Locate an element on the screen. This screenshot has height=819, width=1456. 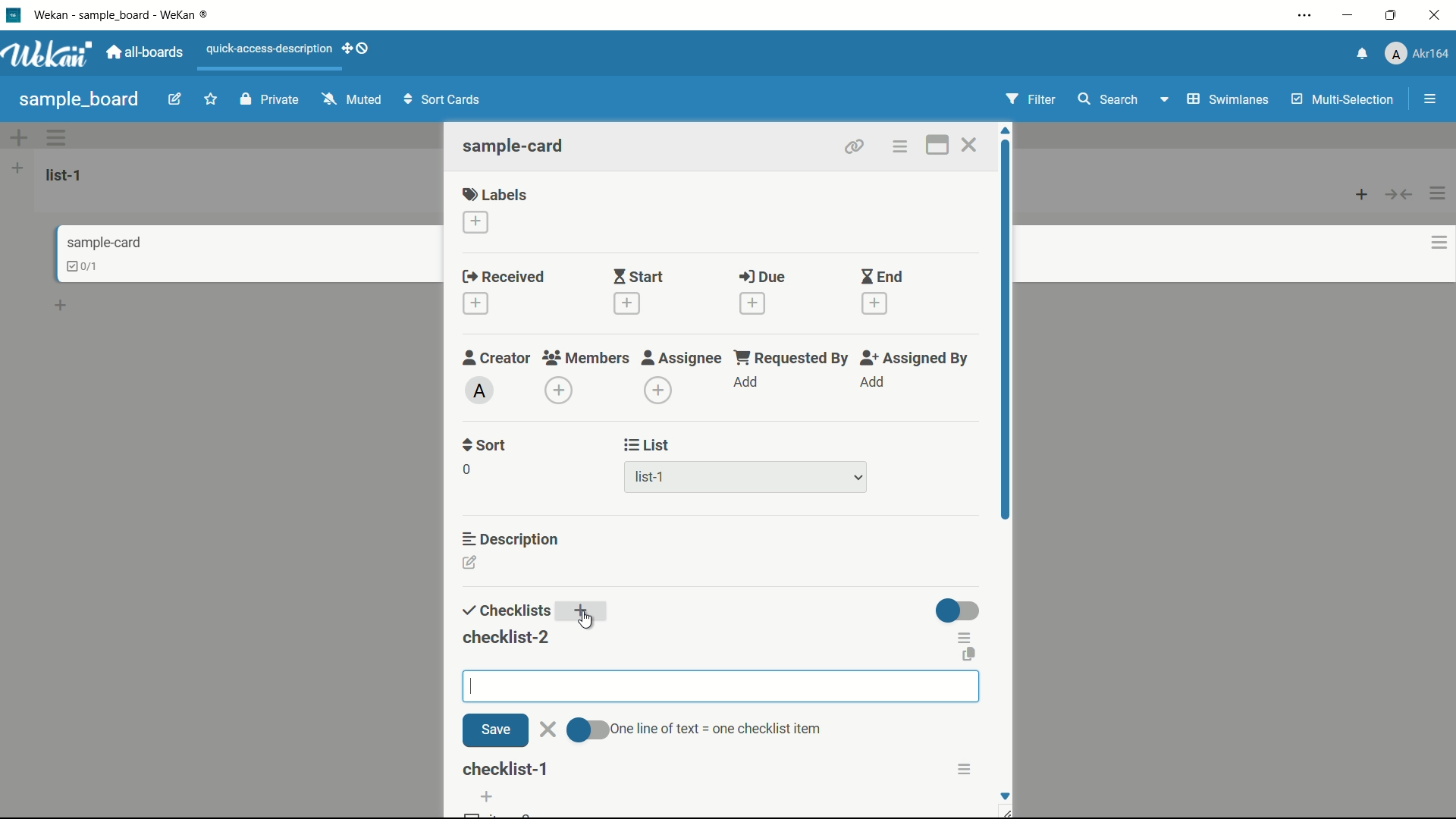
muted is located at coordinates (350, 100).